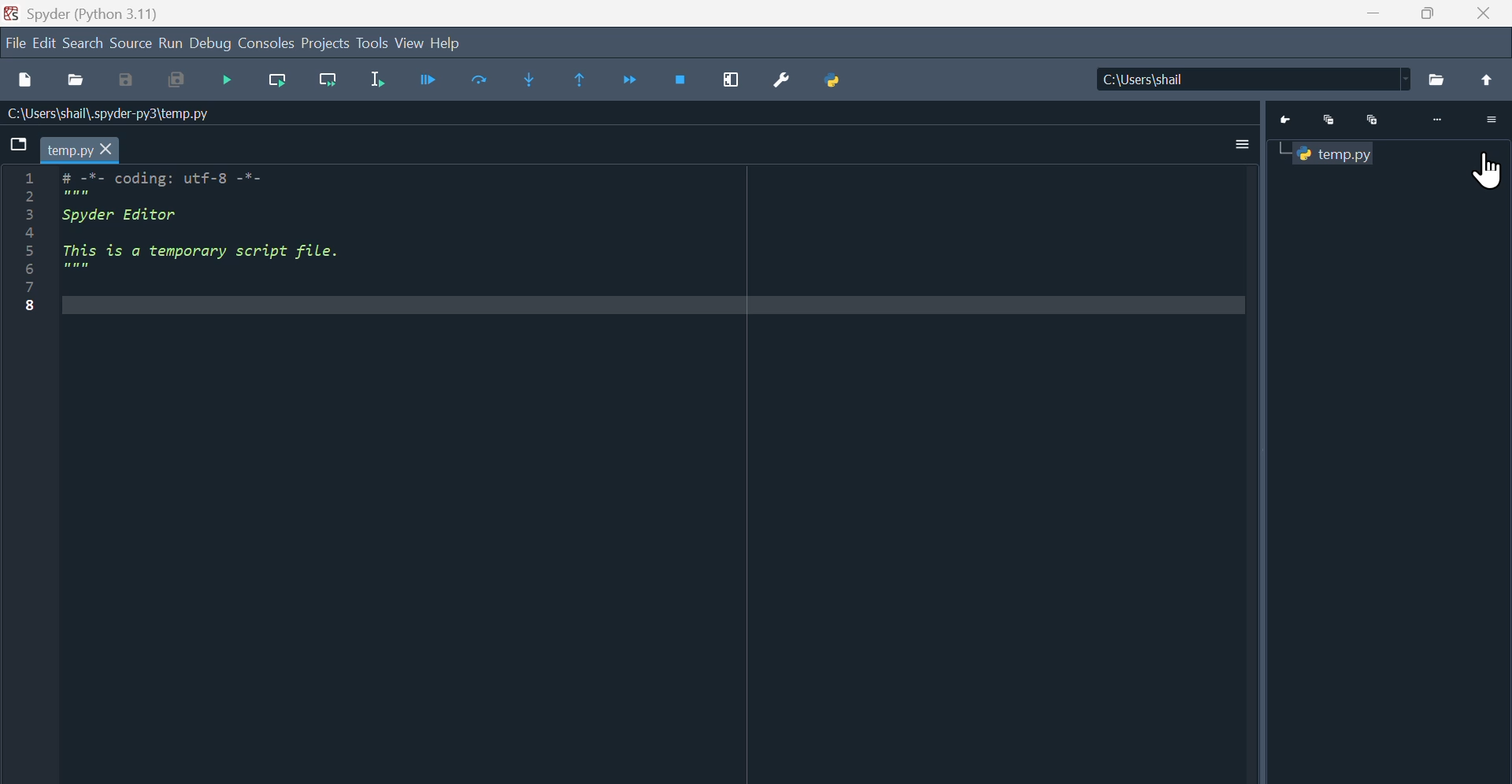 Image resolution: width=1512 pixels, height=784 pixels. I want to click on Search, so click(83, 41).